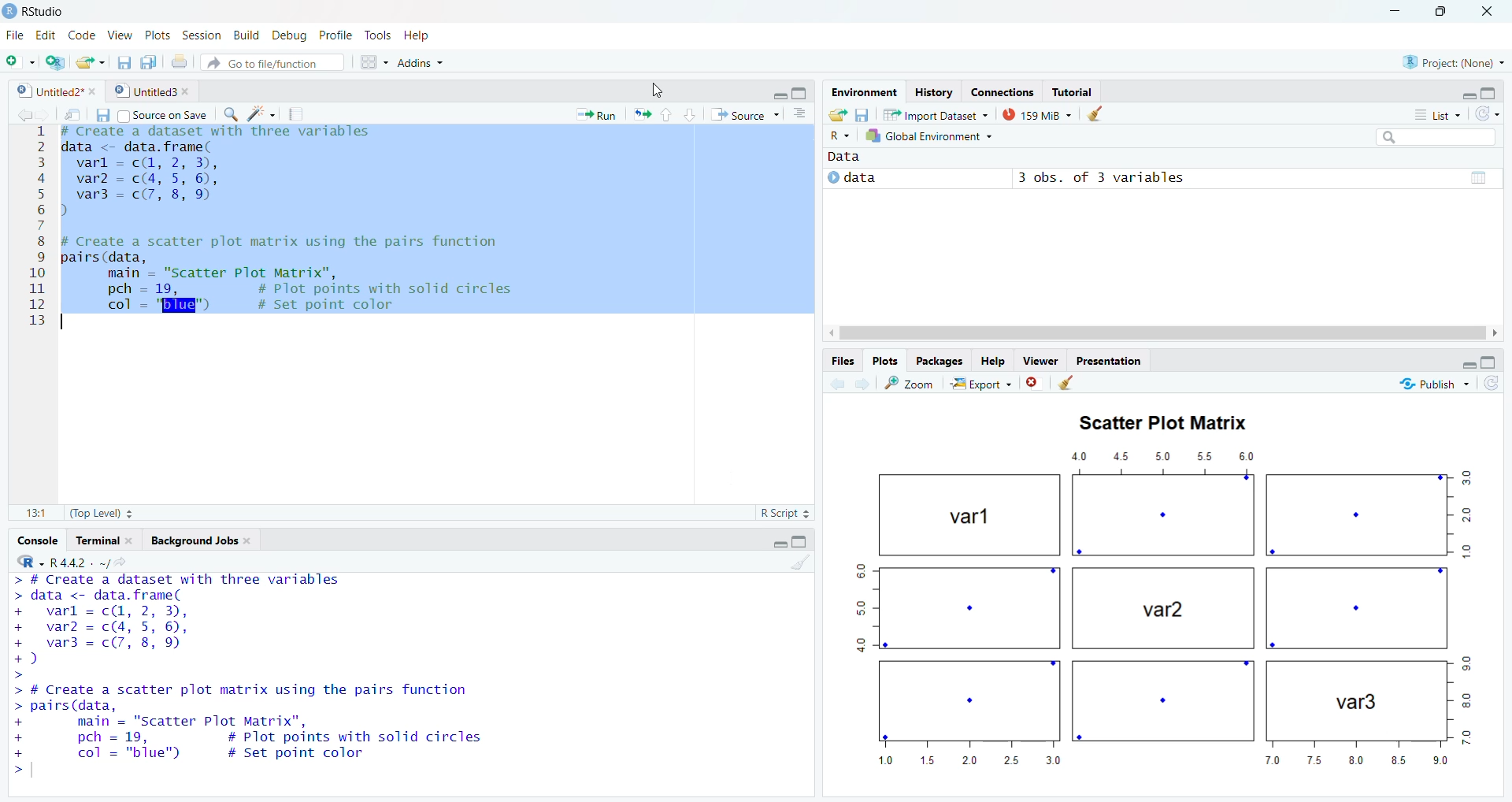  What do you see at coordinates (788, 512) in the screenshot?
I see `R Script 3` at bounding box center [788, 512].